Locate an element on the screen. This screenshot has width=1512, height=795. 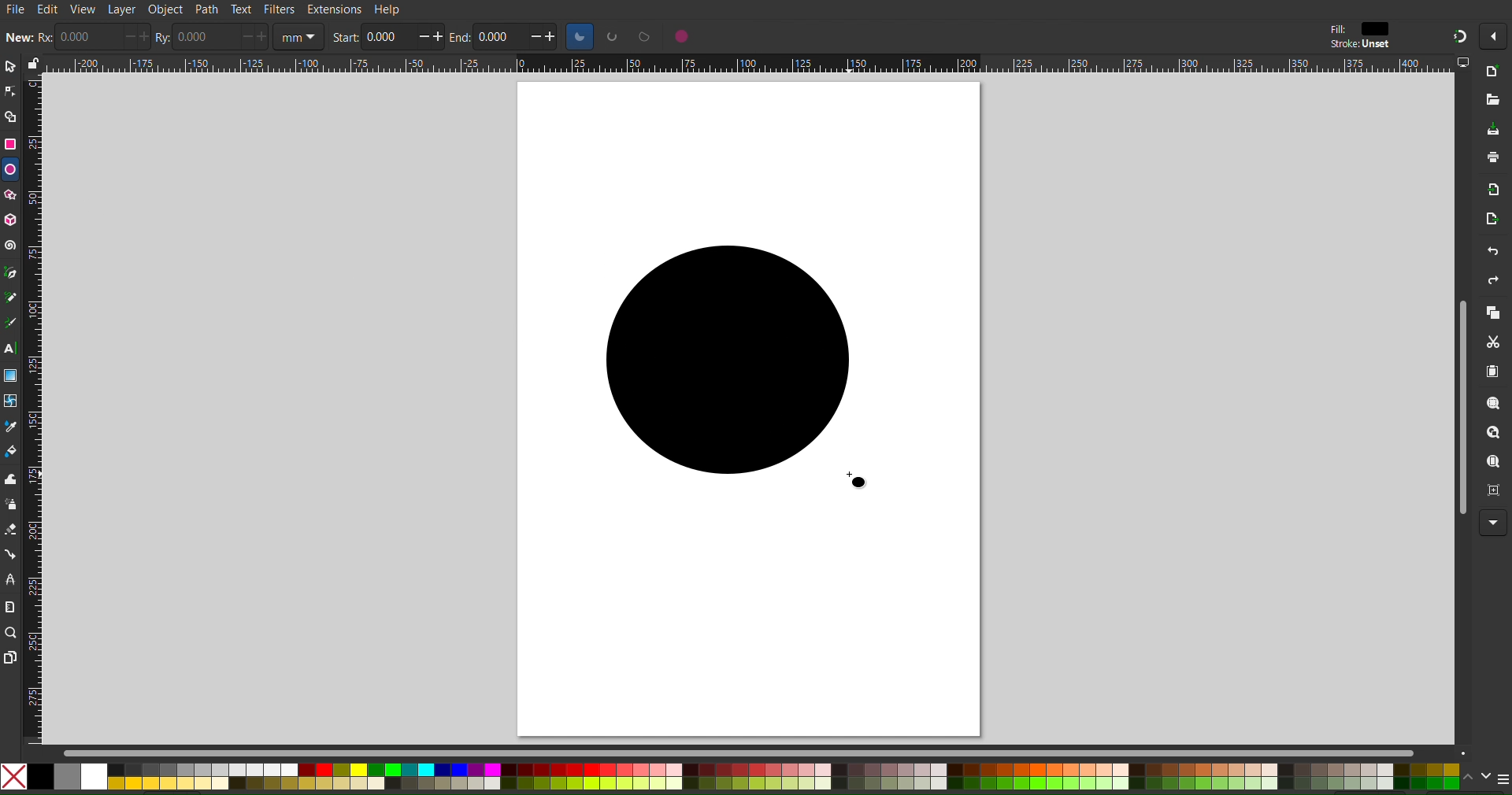
Ellipse is located at coordinates (11, 170).